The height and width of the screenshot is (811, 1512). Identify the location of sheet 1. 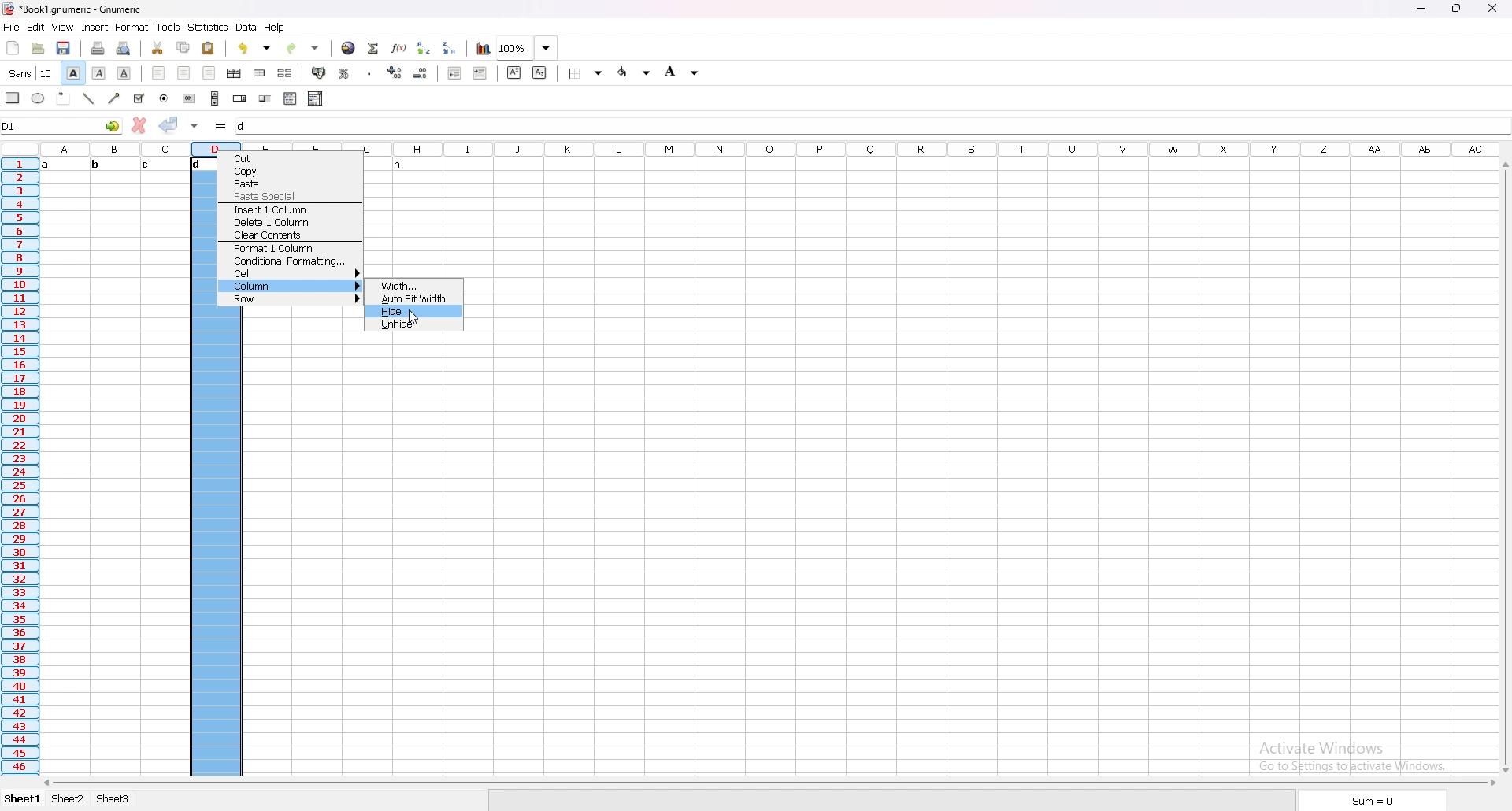
(23, 800).